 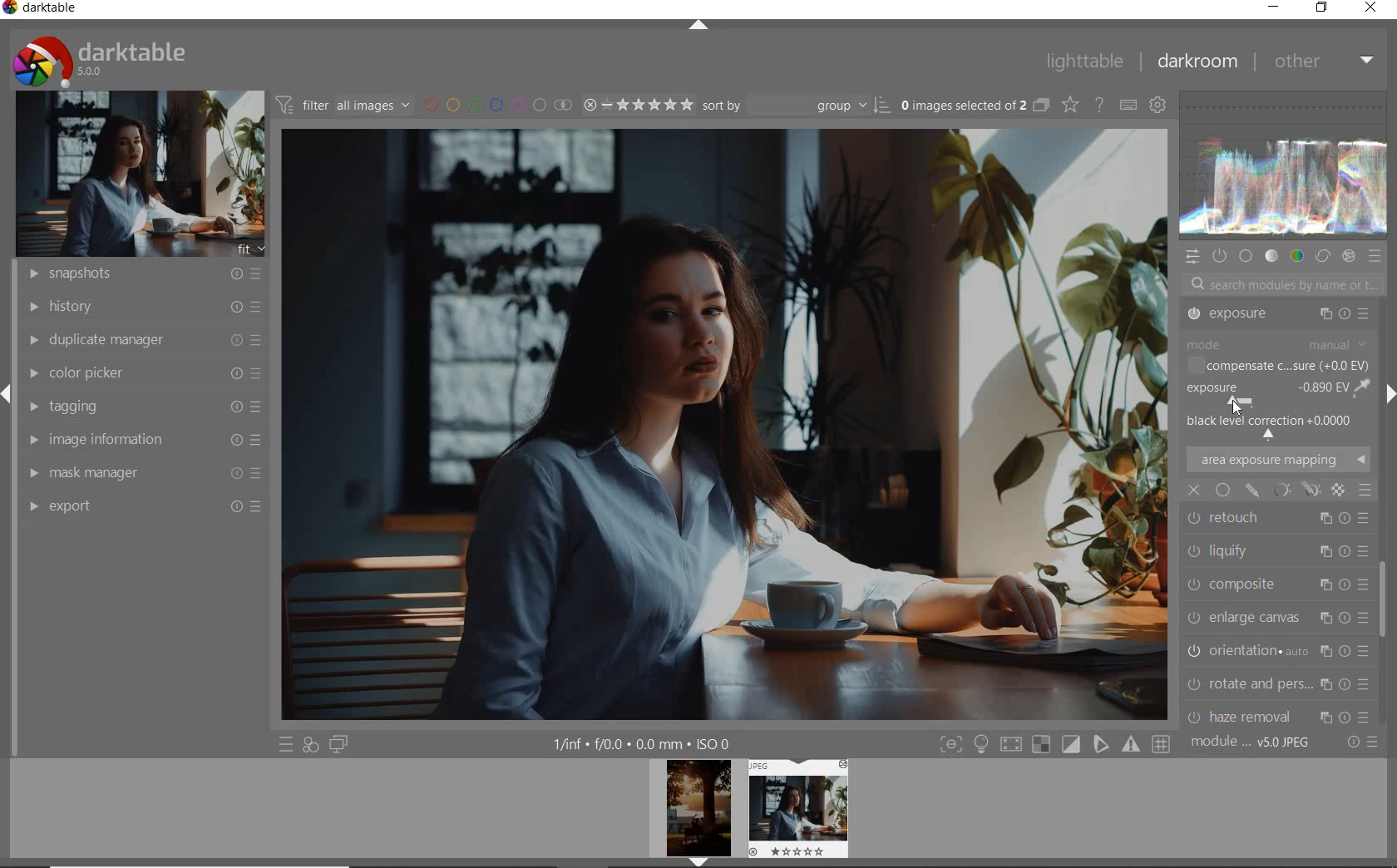 I want to click on SYSTEM LOGO & NAME, so click(x=98, y=59).